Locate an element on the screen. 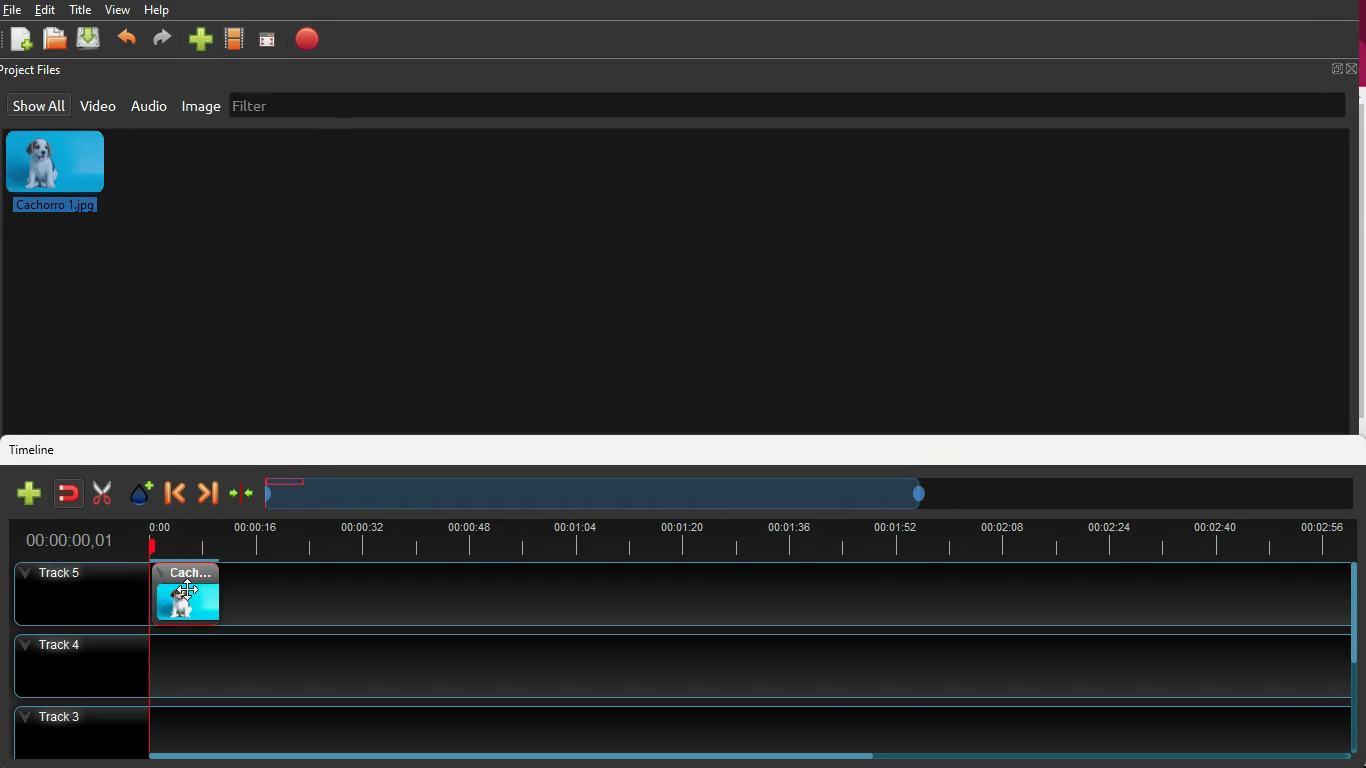  project files is located at coordinates (40, 70).